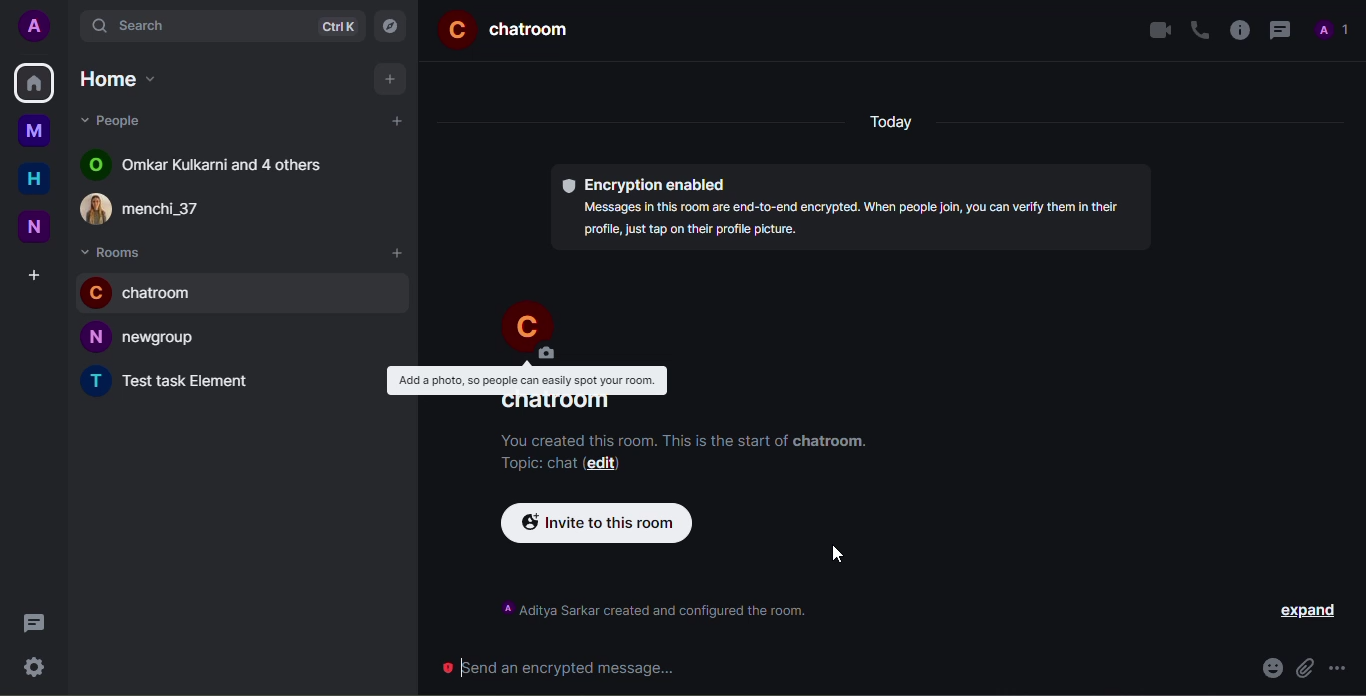 The height and width of the screenshot is (696, 1366). Describe the element at coordinates (122, 82) in the screenshot. I see `home` at that location.